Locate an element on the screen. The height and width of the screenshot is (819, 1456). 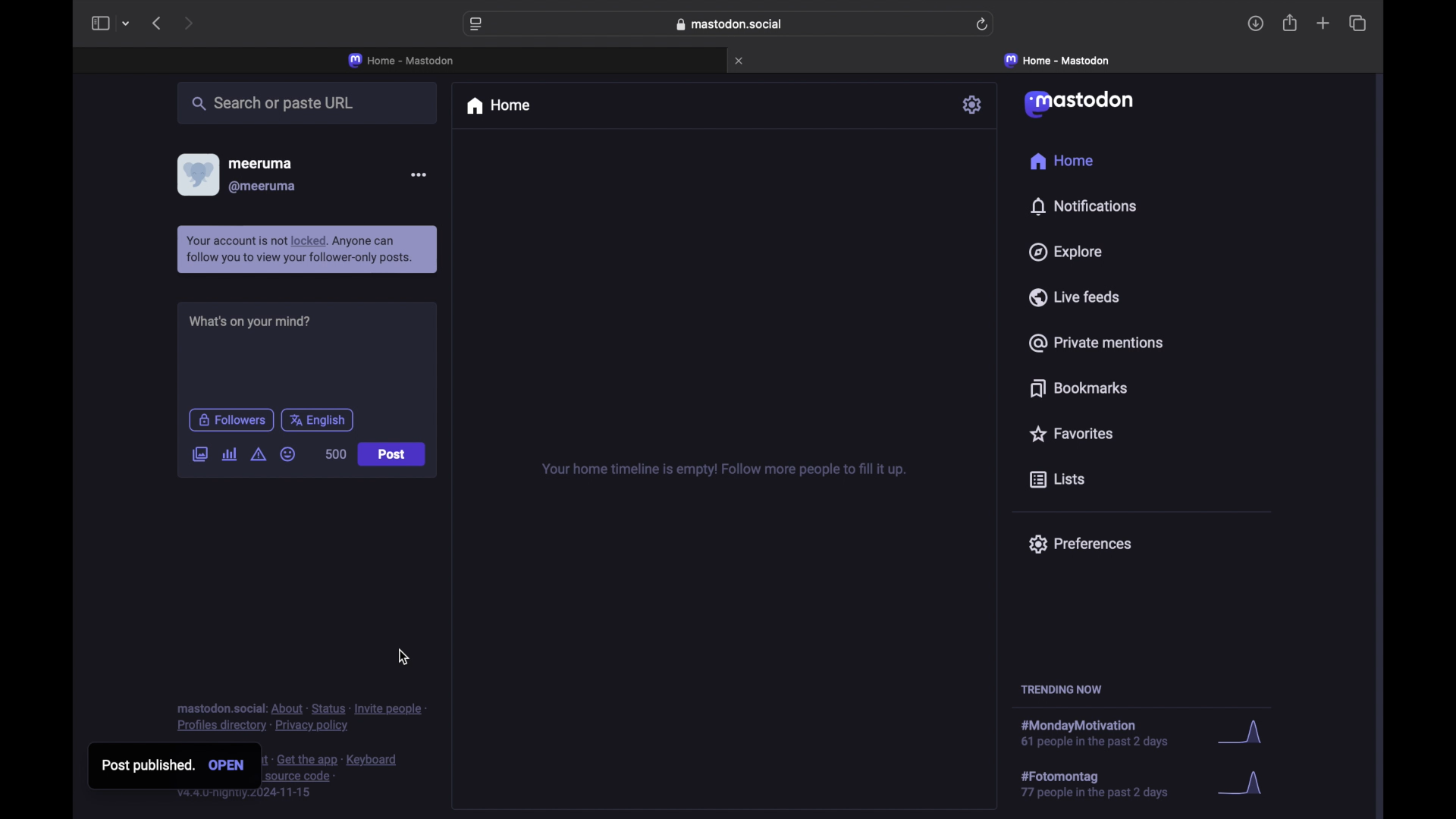
private  mentions is located at coordinates (1095, 343).